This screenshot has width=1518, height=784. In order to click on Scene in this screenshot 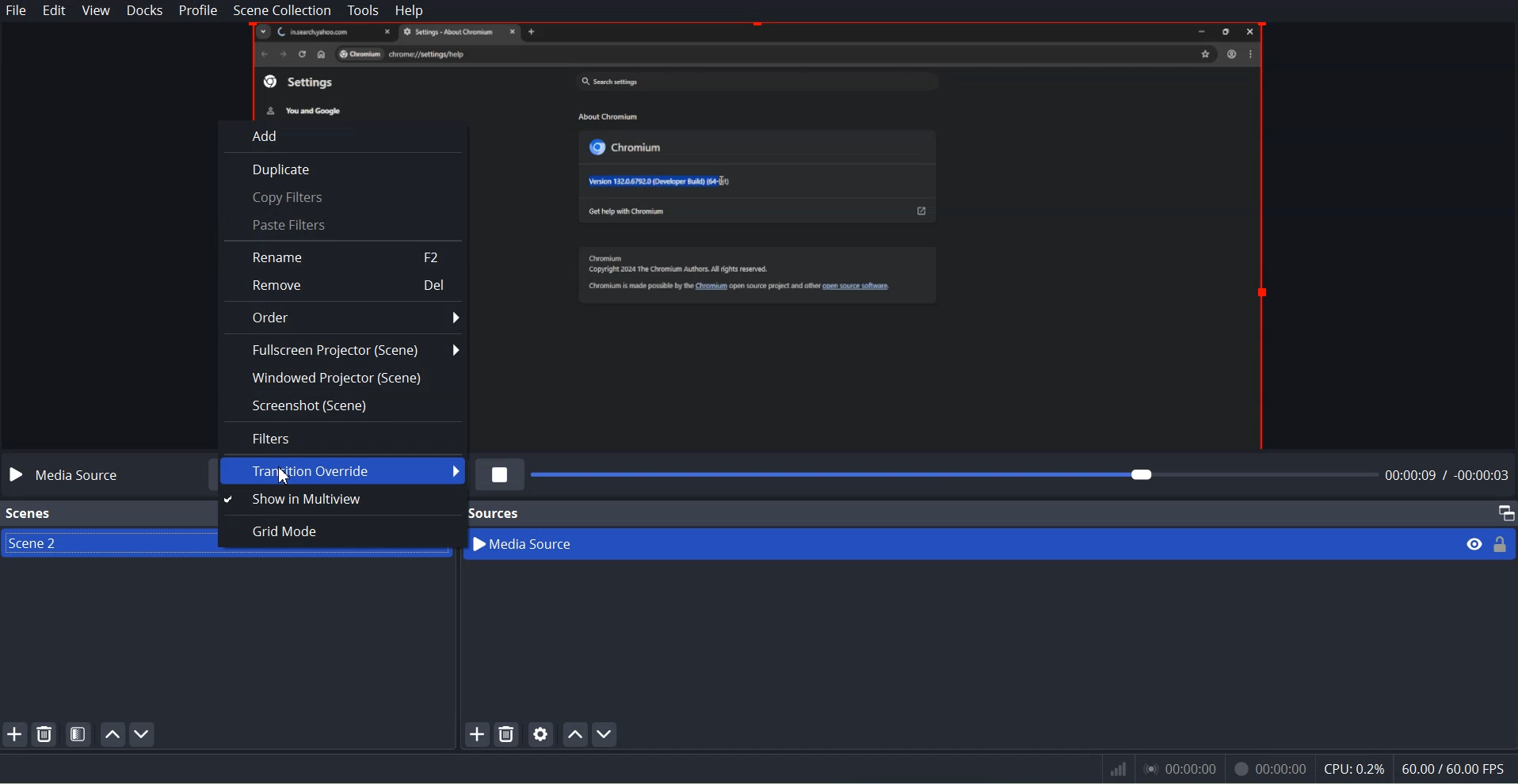, I will do `click(95, 544)`.